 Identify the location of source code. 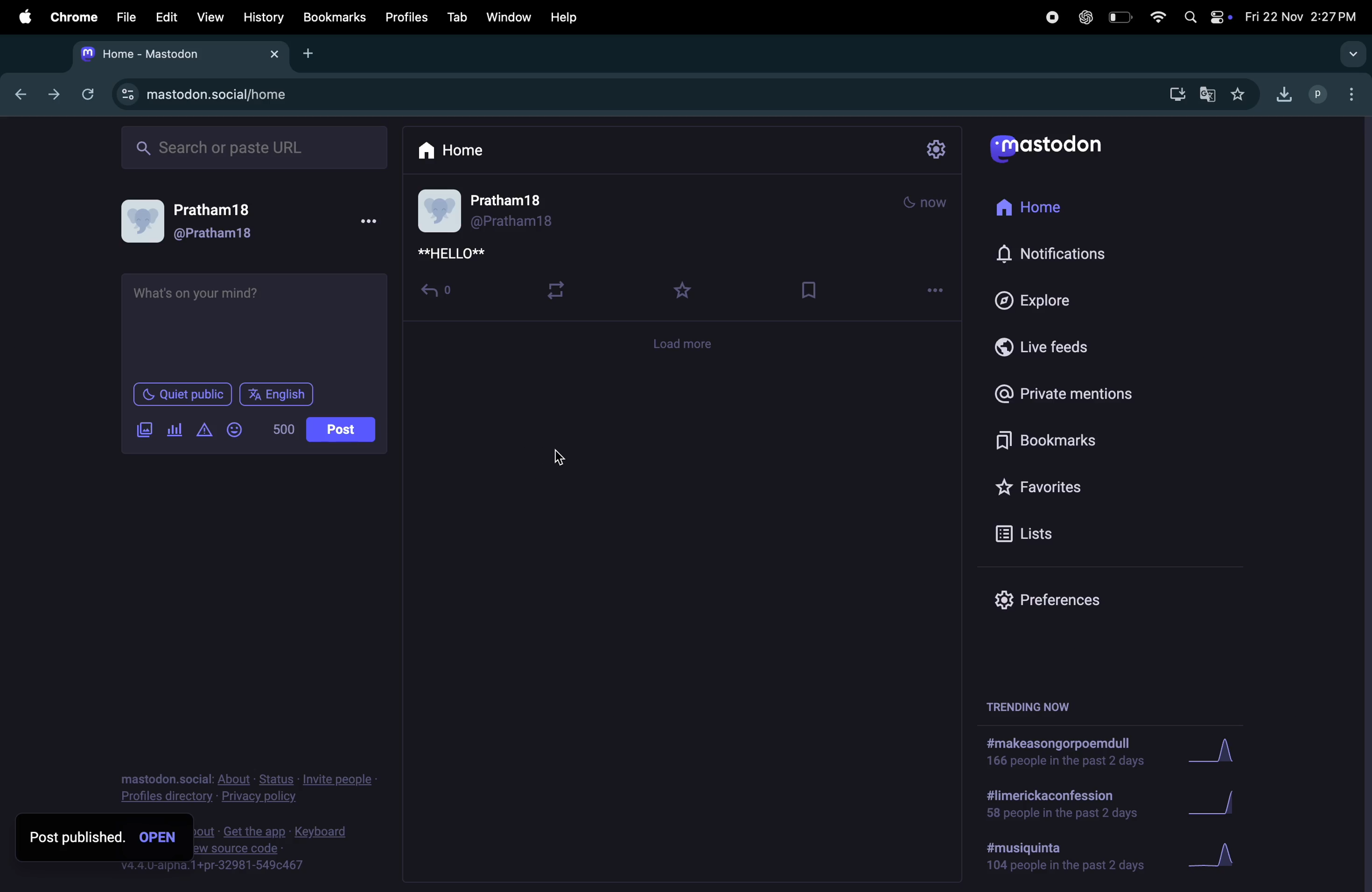
(279, 852).